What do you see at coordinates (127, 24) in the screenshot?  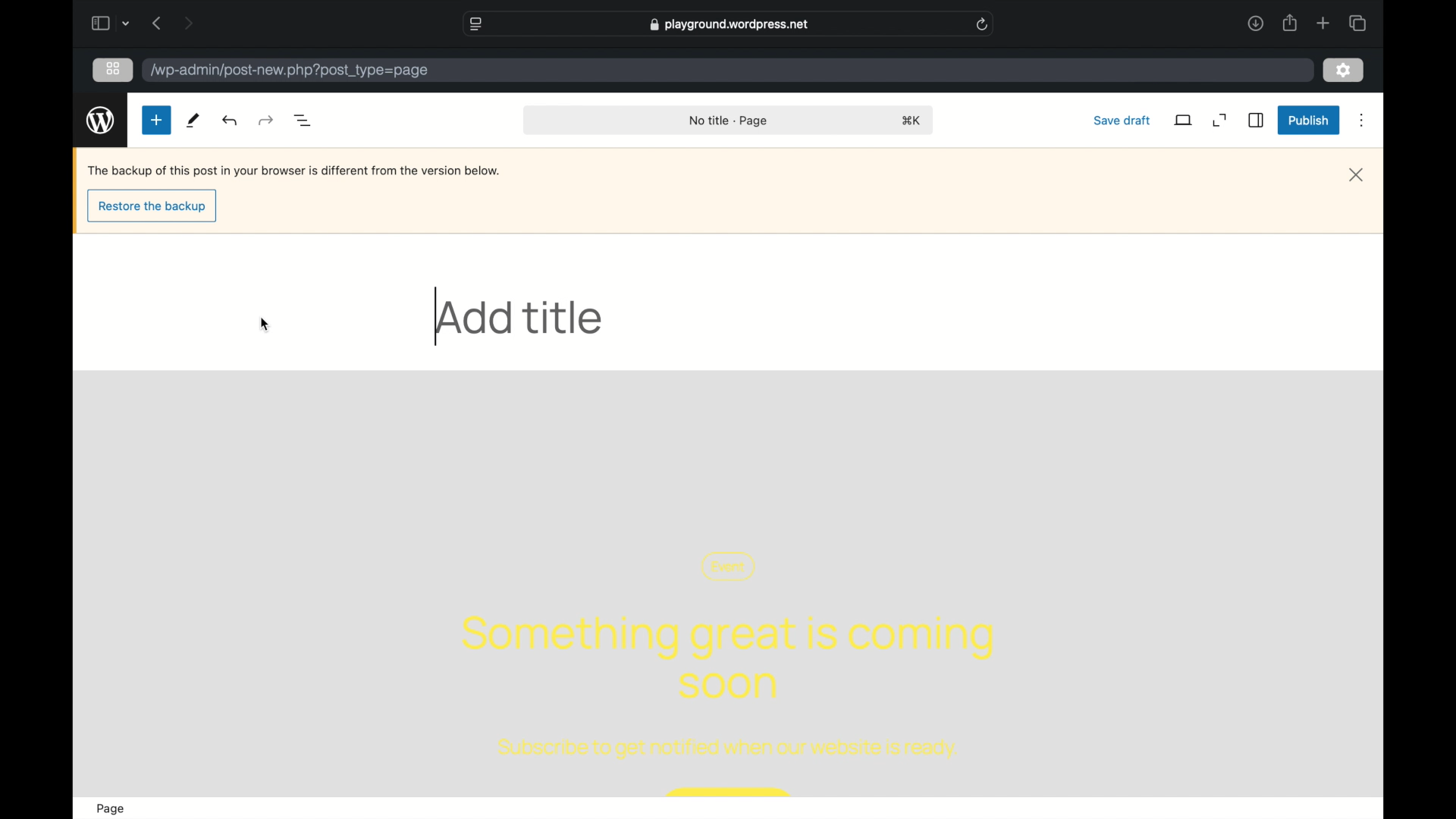 I see `dropdown` at bounding box center [127, 24].